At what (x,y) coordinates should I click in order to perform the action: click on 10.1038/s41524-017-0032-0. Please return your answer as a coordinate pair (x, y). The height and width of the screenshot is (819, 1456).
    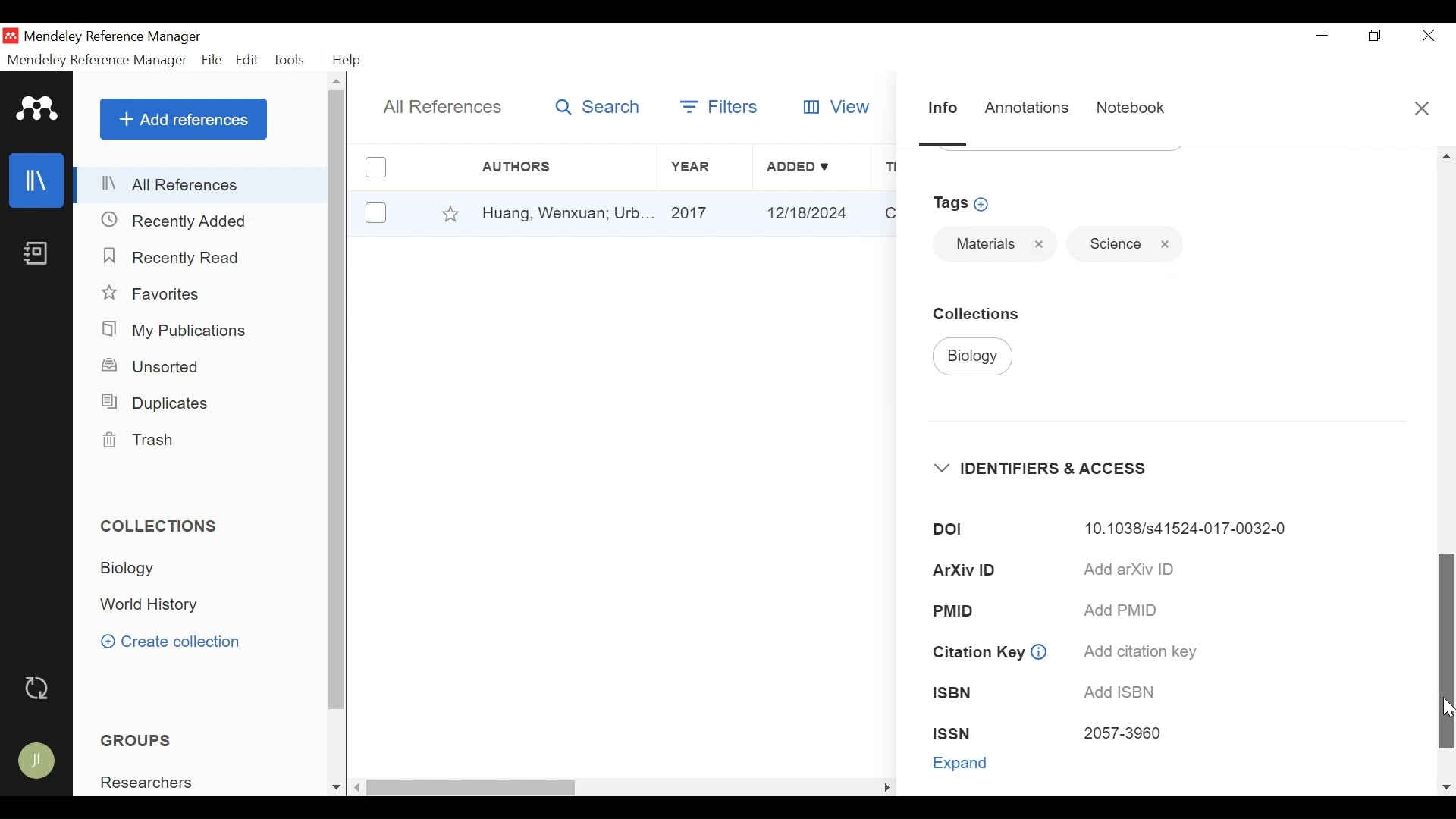
    Looking at the image, I should click on (1189, 529).